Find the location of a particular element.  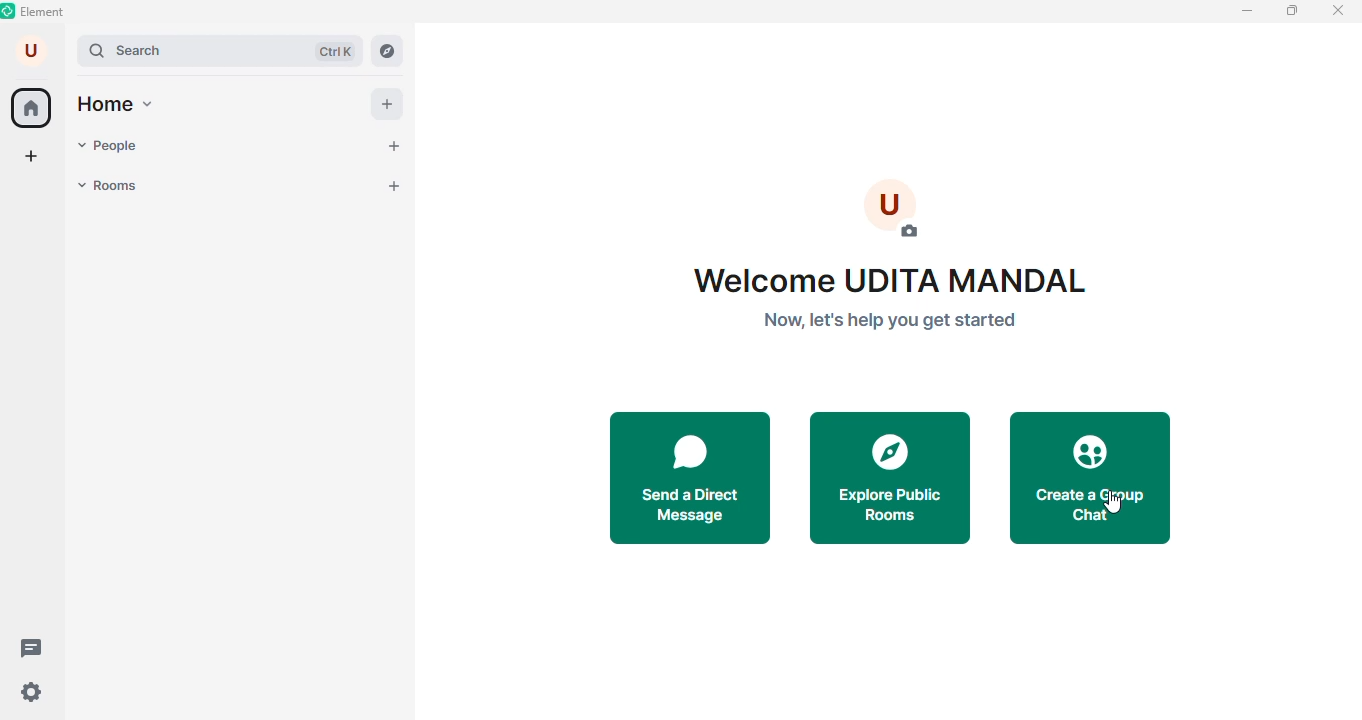

home is located at coordinates (120, 106).